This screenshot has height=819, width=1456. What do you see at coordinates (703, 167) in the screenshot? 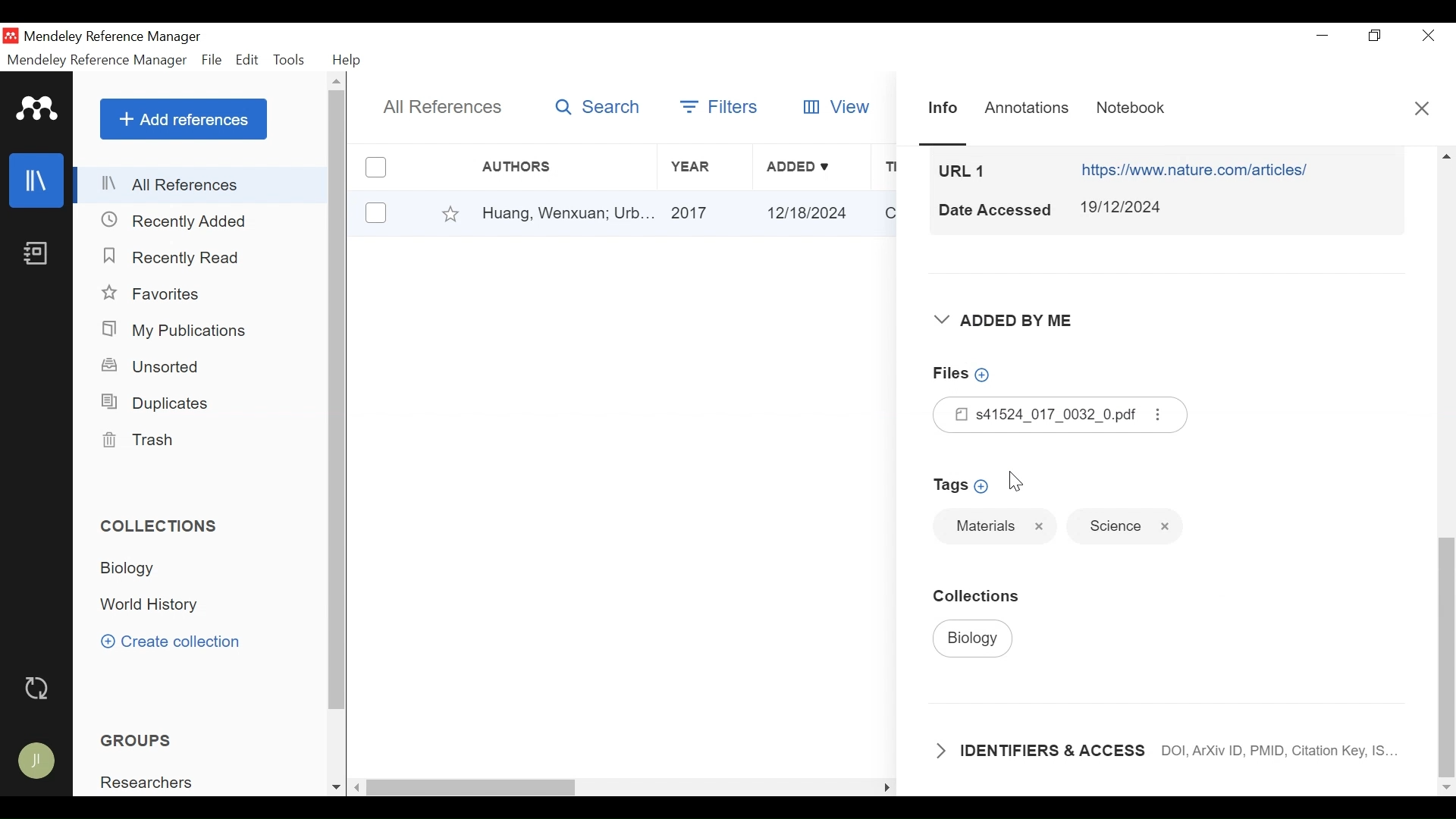
I see `Year` at bounding box center [703, 167].